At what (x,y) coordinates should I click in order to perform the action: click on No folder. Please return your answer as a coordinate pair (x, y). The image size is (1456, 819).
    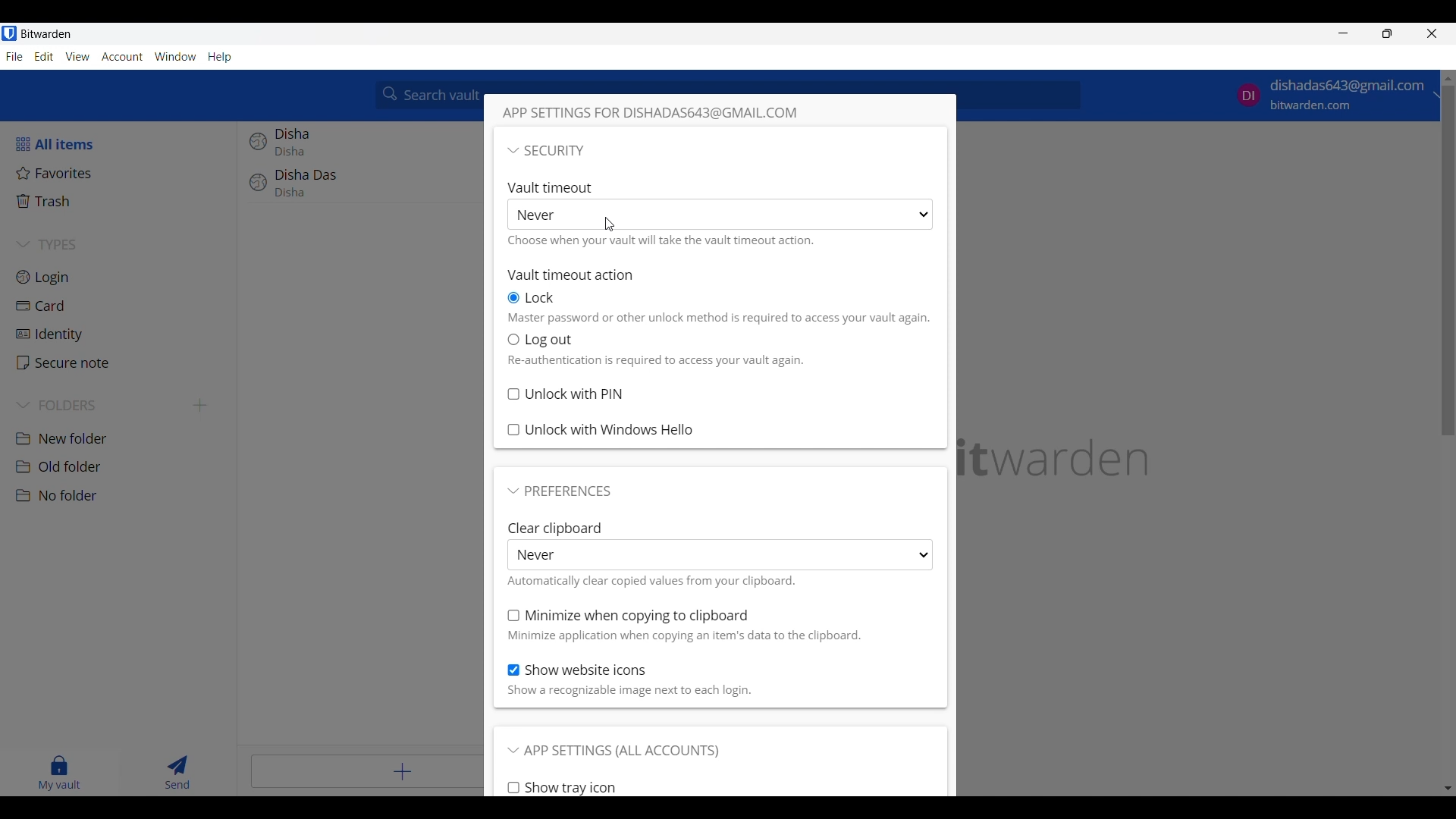
    Looking at the image, I should click on (123, 496).